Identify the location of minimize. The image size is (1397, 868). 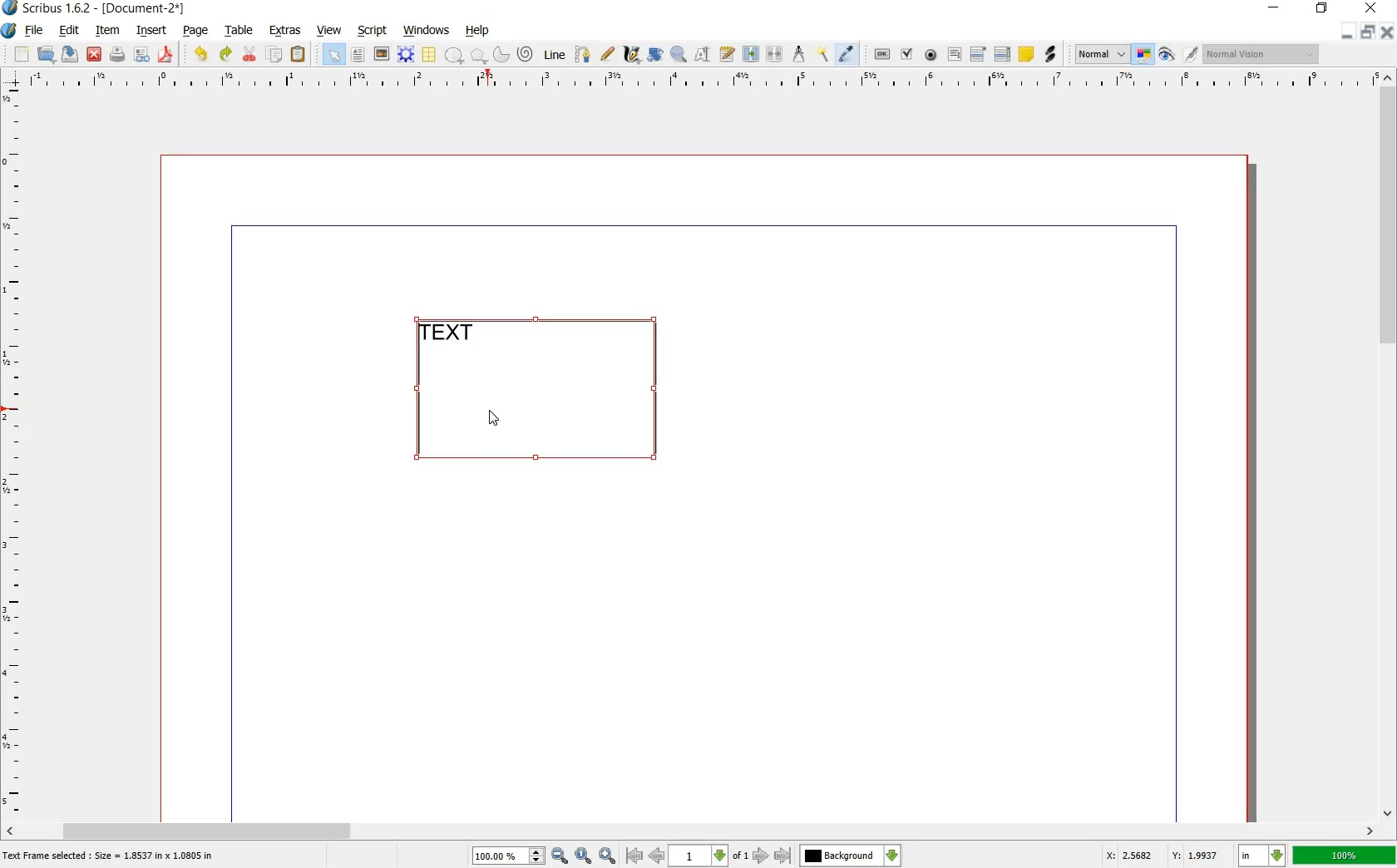
(1275, 8).